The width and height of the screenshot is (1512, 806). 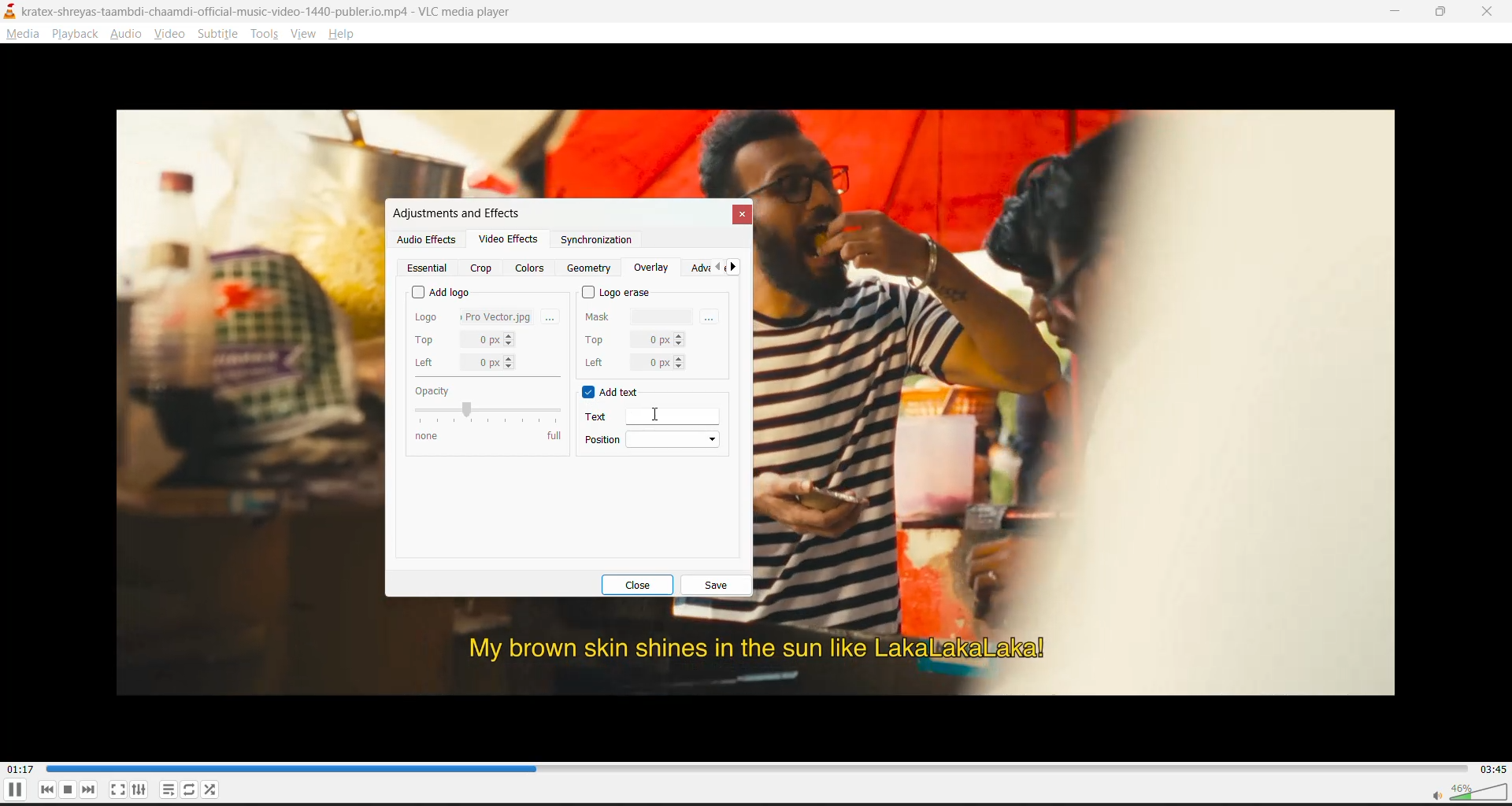 What do you see at coordinates (187, 790) in the screenshot?
I see `loop` at bounding box center [187, 790].